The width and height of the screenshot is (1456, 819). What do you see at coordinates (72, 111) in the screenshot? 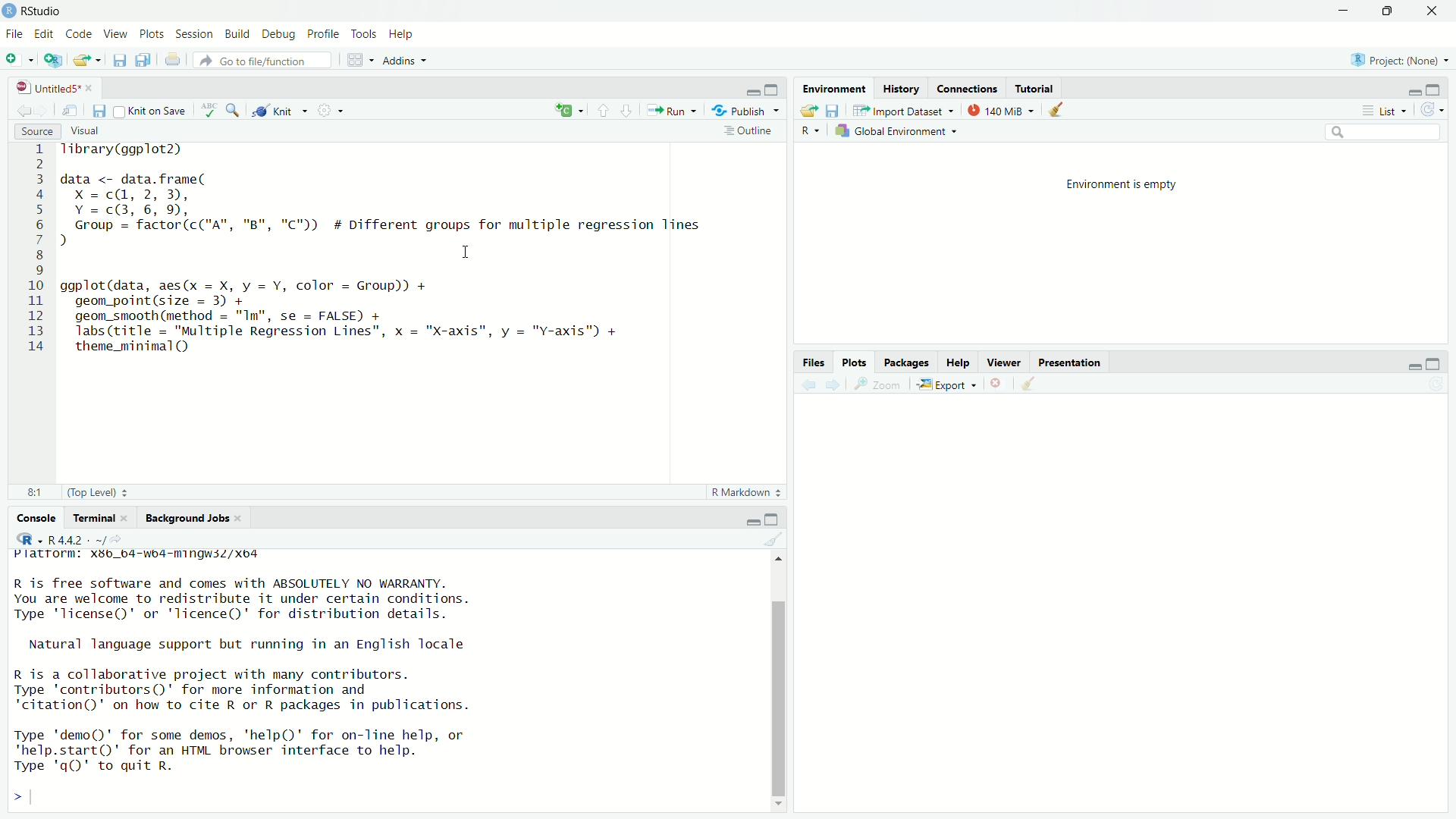
I see `move` at bounding box center [72, 111].